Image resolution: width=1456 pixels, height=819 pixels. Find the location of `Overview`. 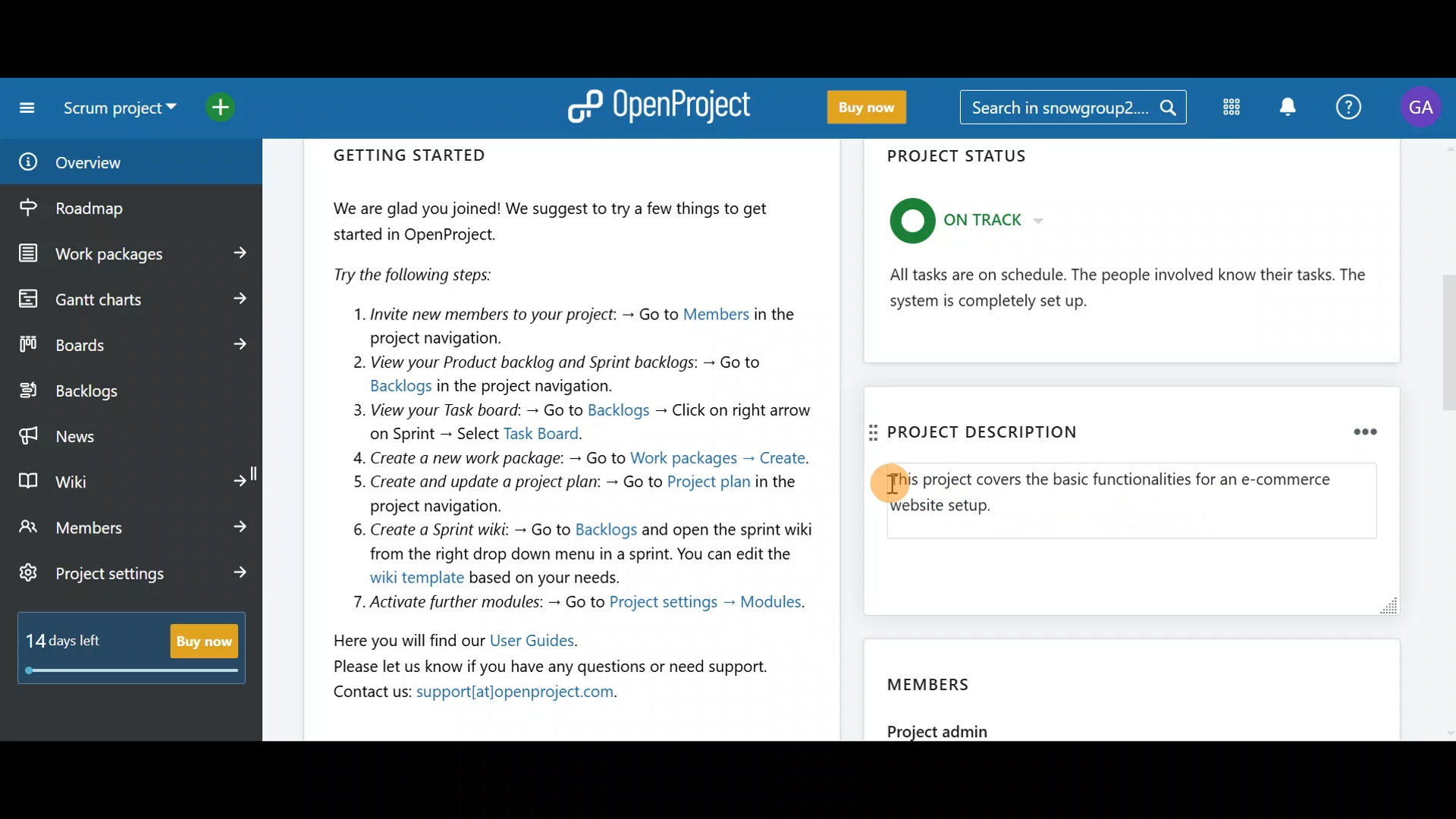

Overview is located at coordinates (112, 162).